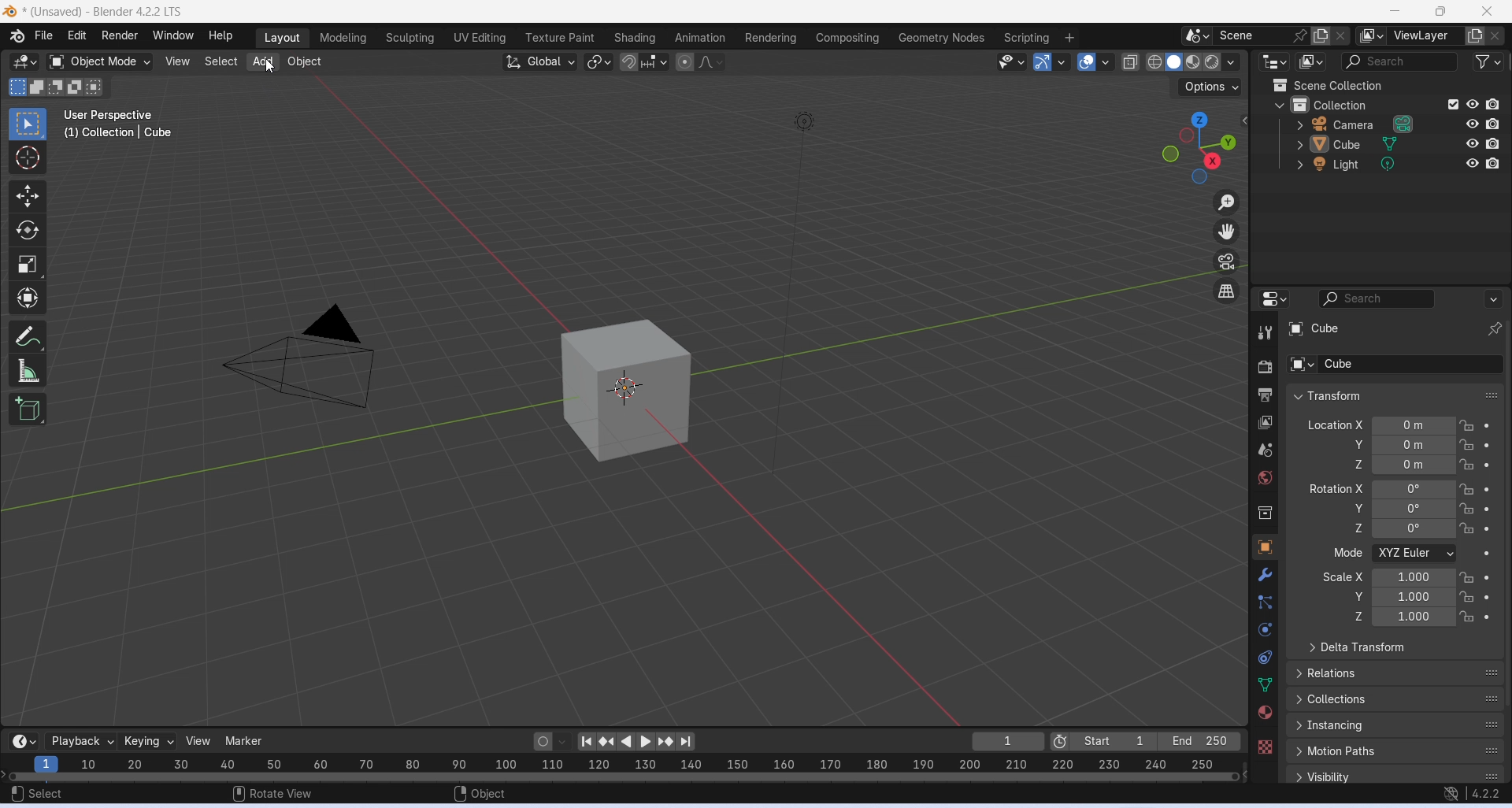 The image size is (1512, 808). What do you see at coordinates (1492, 124) in the screenshot?
I see `disable in renders` at bounding box center [1492, 124].